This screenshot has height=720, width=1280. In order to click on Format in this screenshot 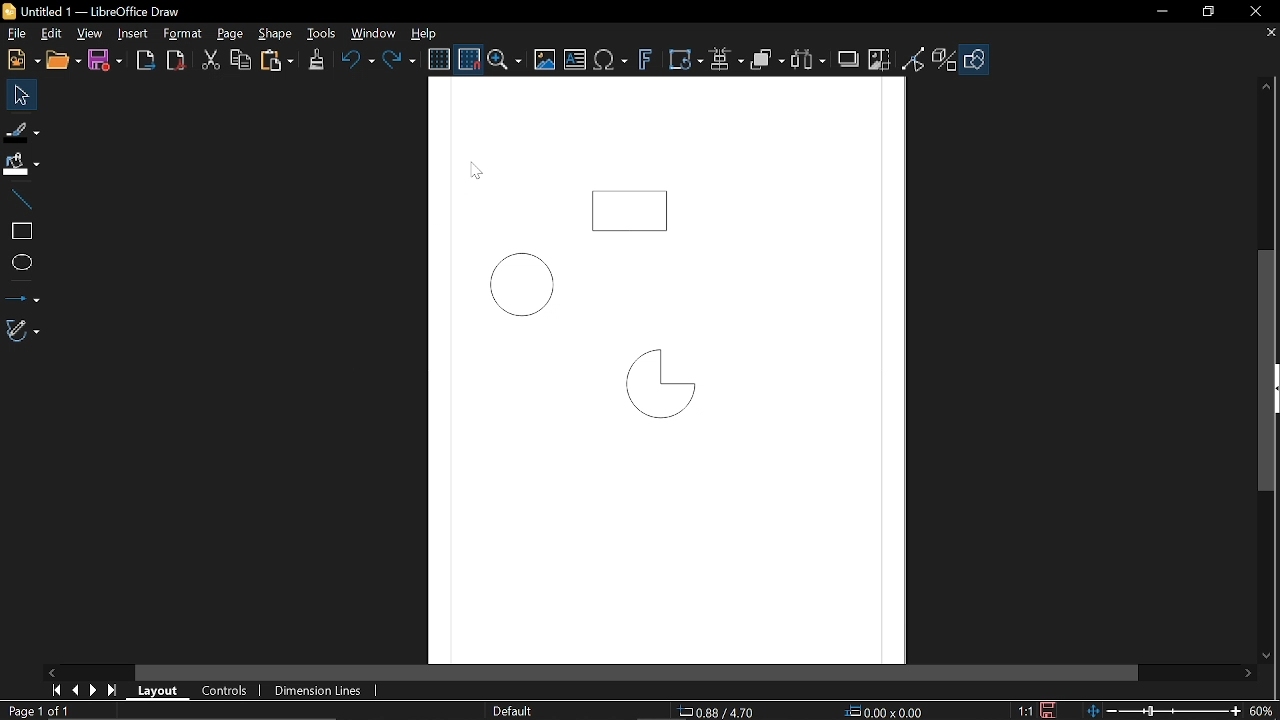, I will do `click(181, 34)`.